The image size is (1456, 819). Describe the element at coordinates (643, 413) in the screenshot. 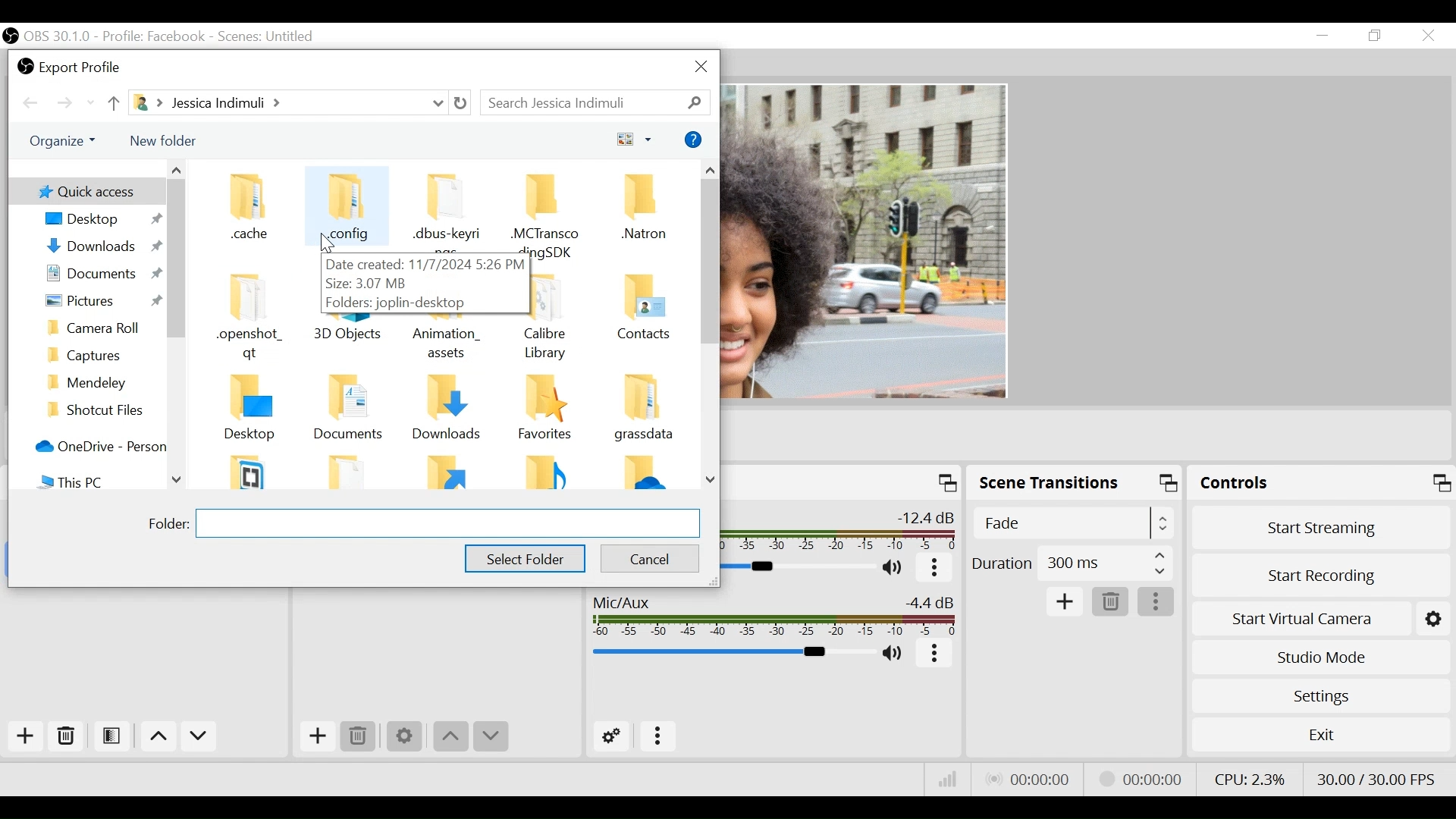

I see `Folder` at that location.